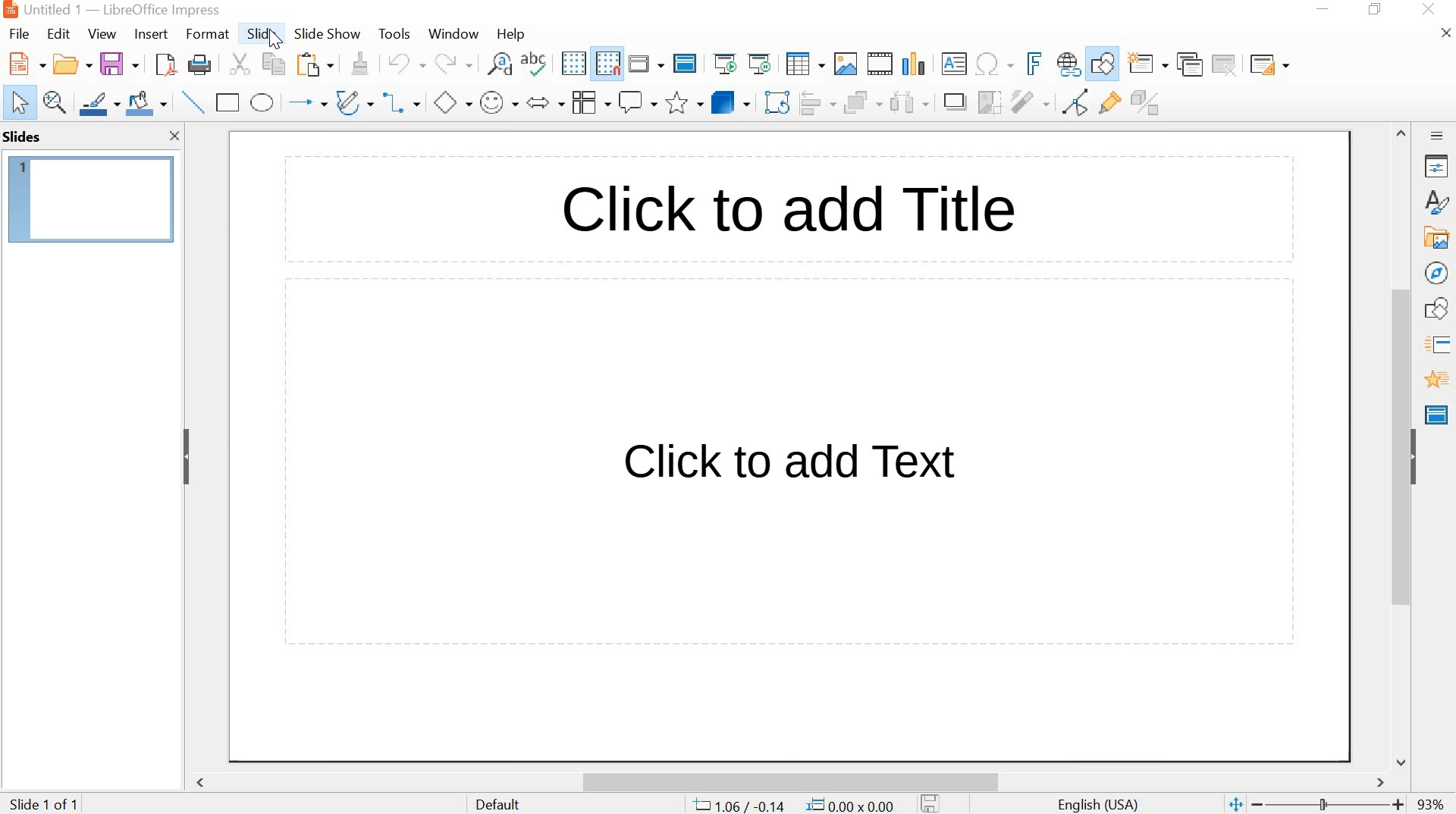 Image resolution: width=1456 pixels, height=814 pixels. I want to click on FILR, so click(21, 36).